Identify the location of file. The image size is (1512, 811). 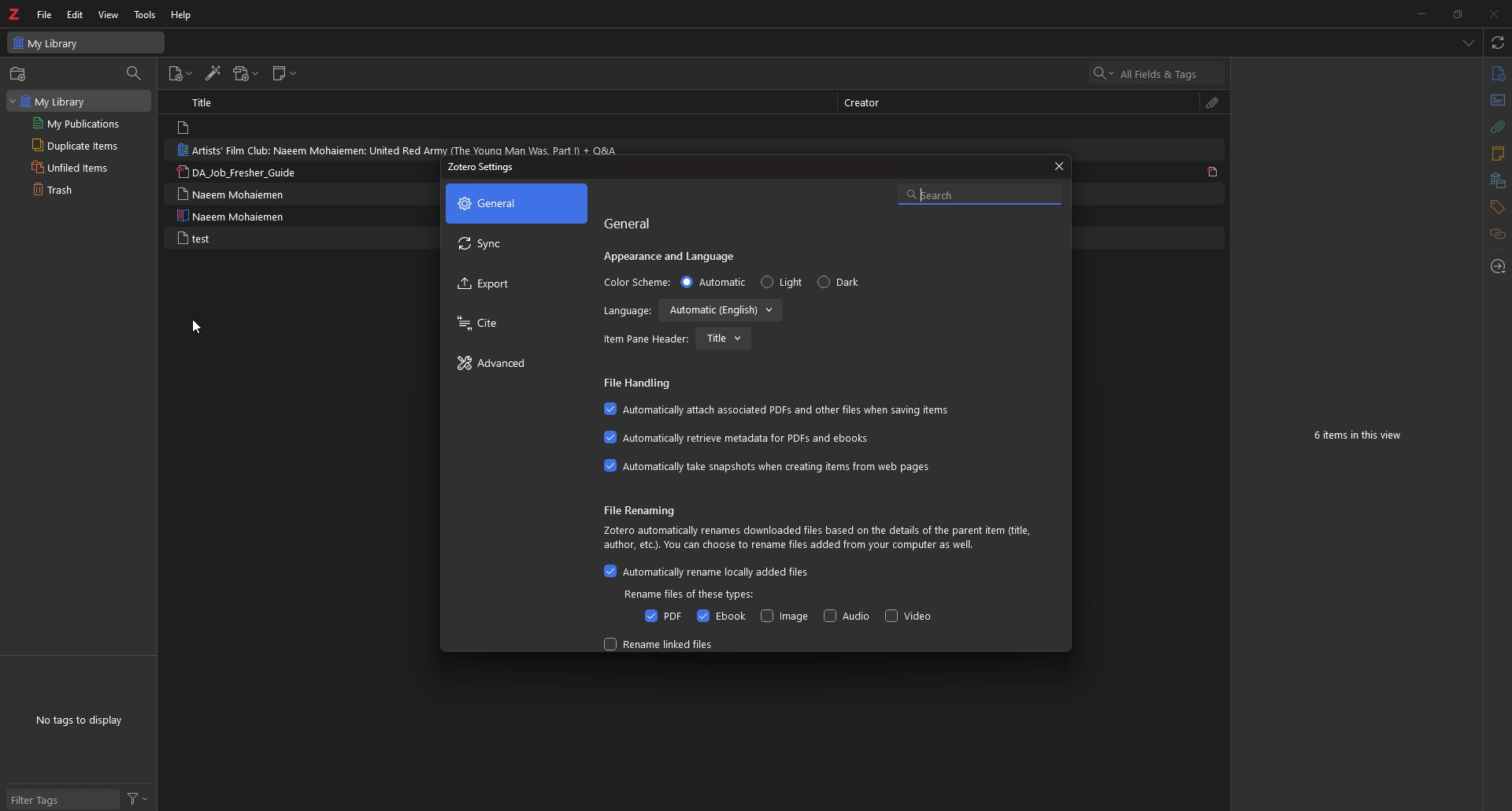
(44, 14).